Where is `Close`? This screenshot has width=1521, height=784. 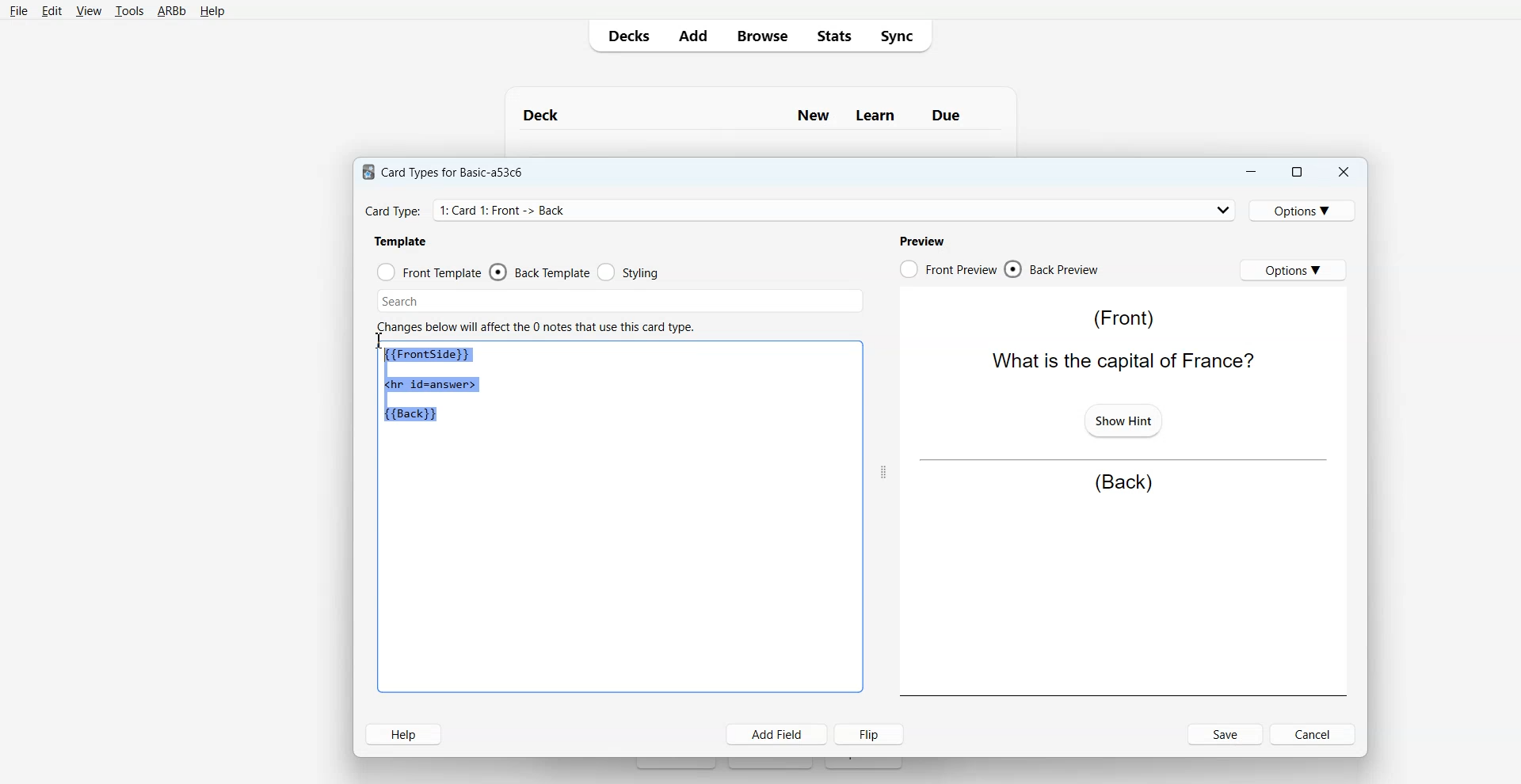 Close is located at coordinates (1343, 173).